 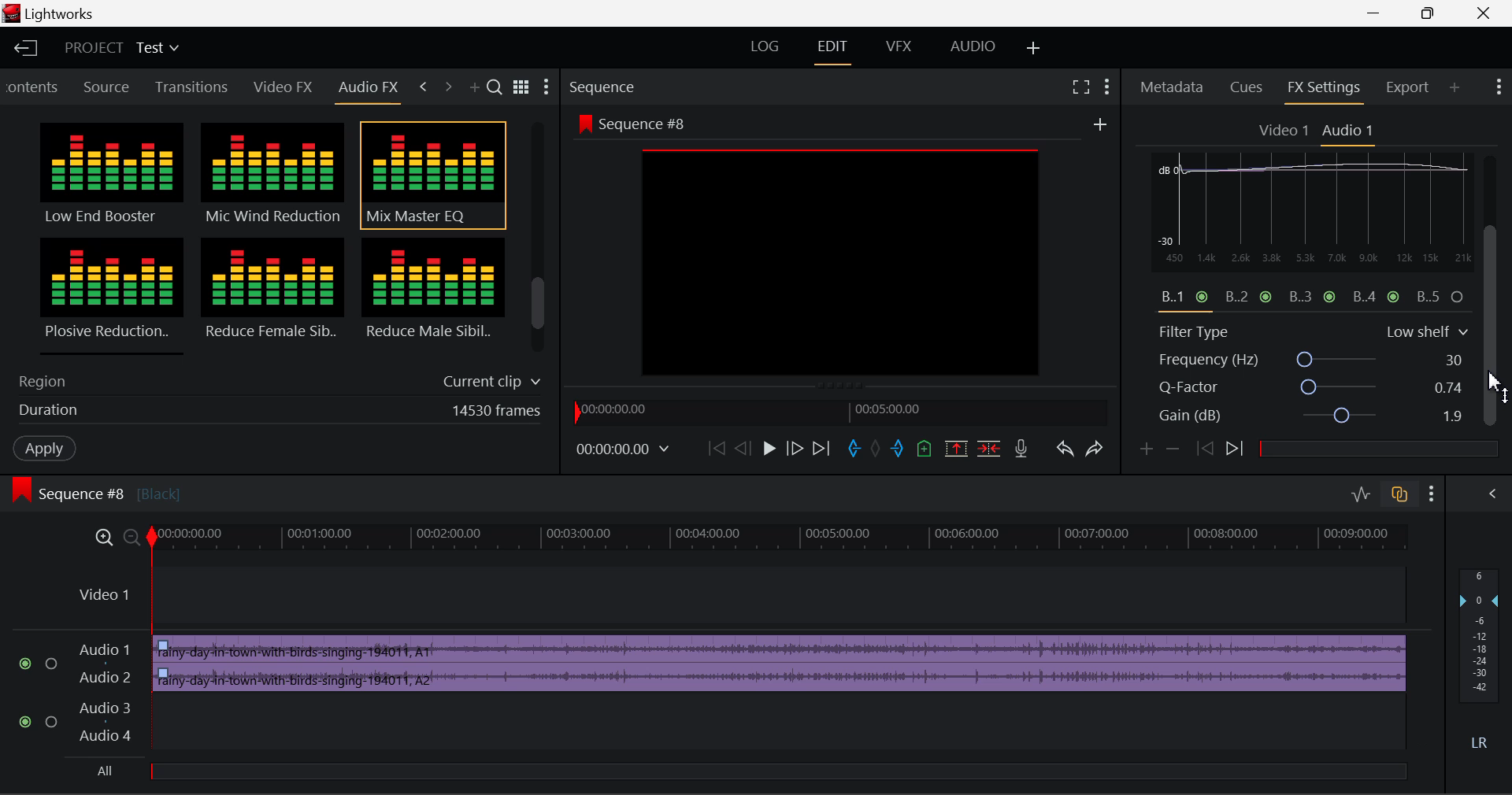 I want to click on Show Settings, so click(x=1497, y=84).